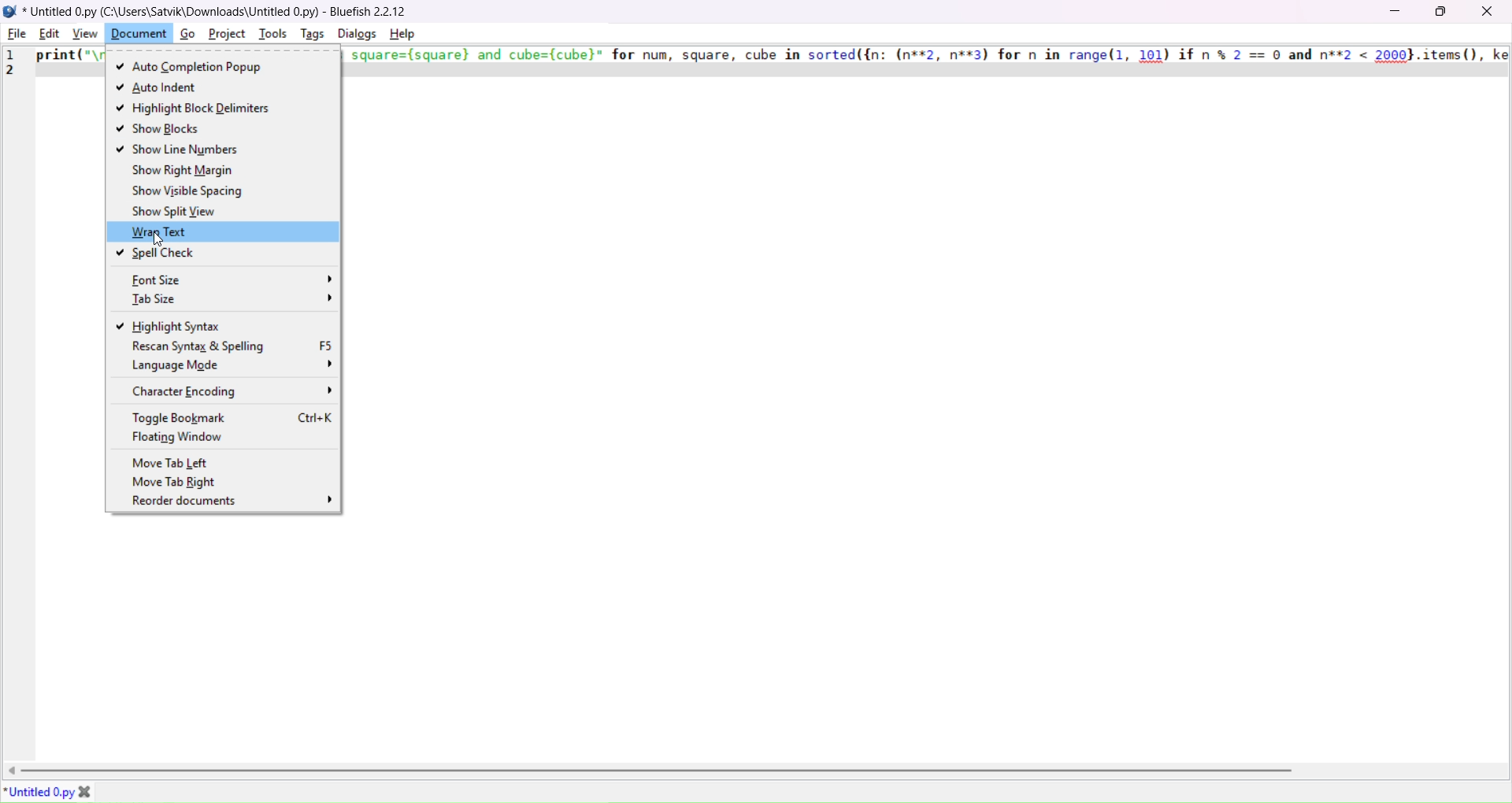 The width and height of the screenshot is (1512, 803). Describe the element at coordinates (662, 770) in the screenshot. I see `horizontal scroll bar` at that location.